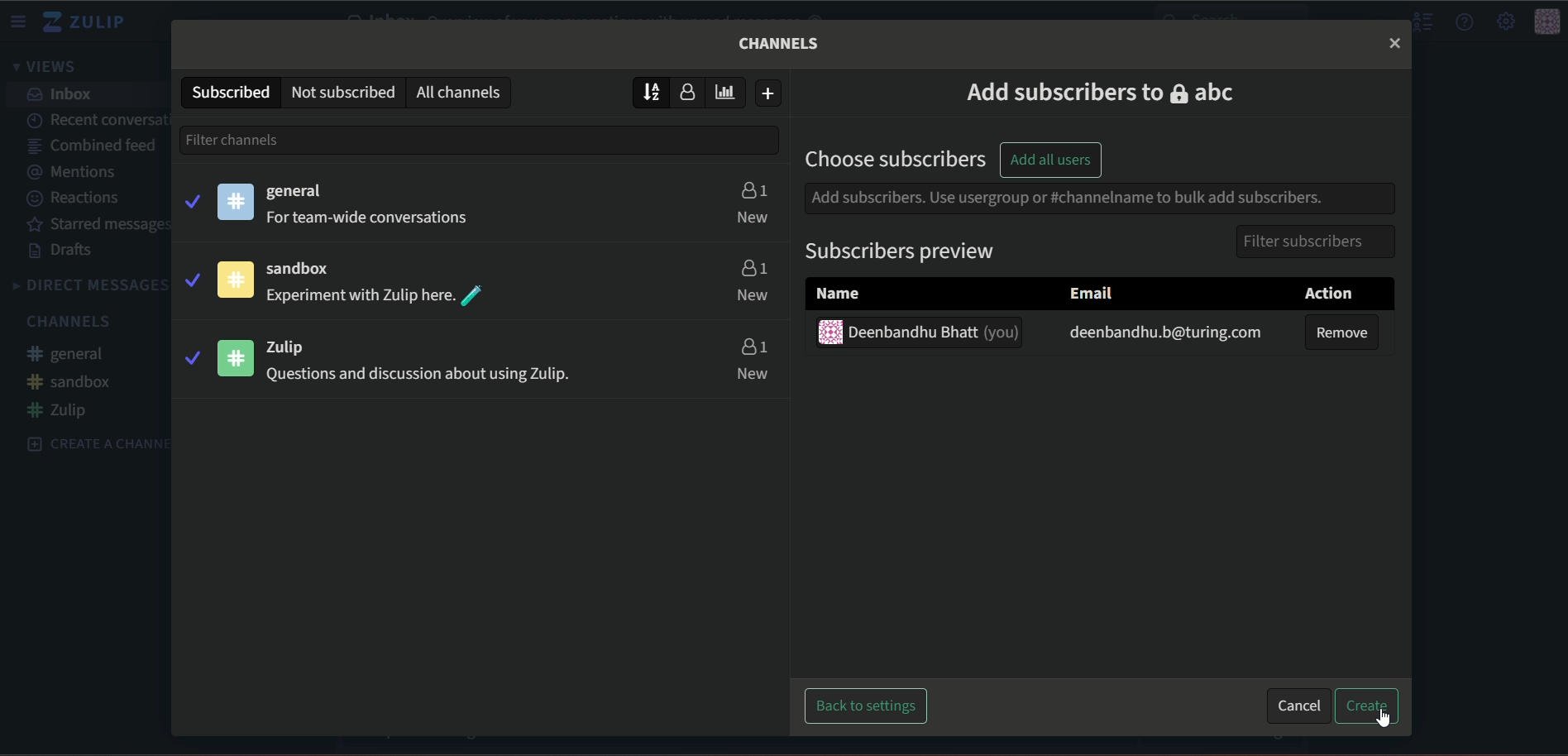  Describe the element at coordinates (754, 374) in the screenshot. I see `new` at that location.